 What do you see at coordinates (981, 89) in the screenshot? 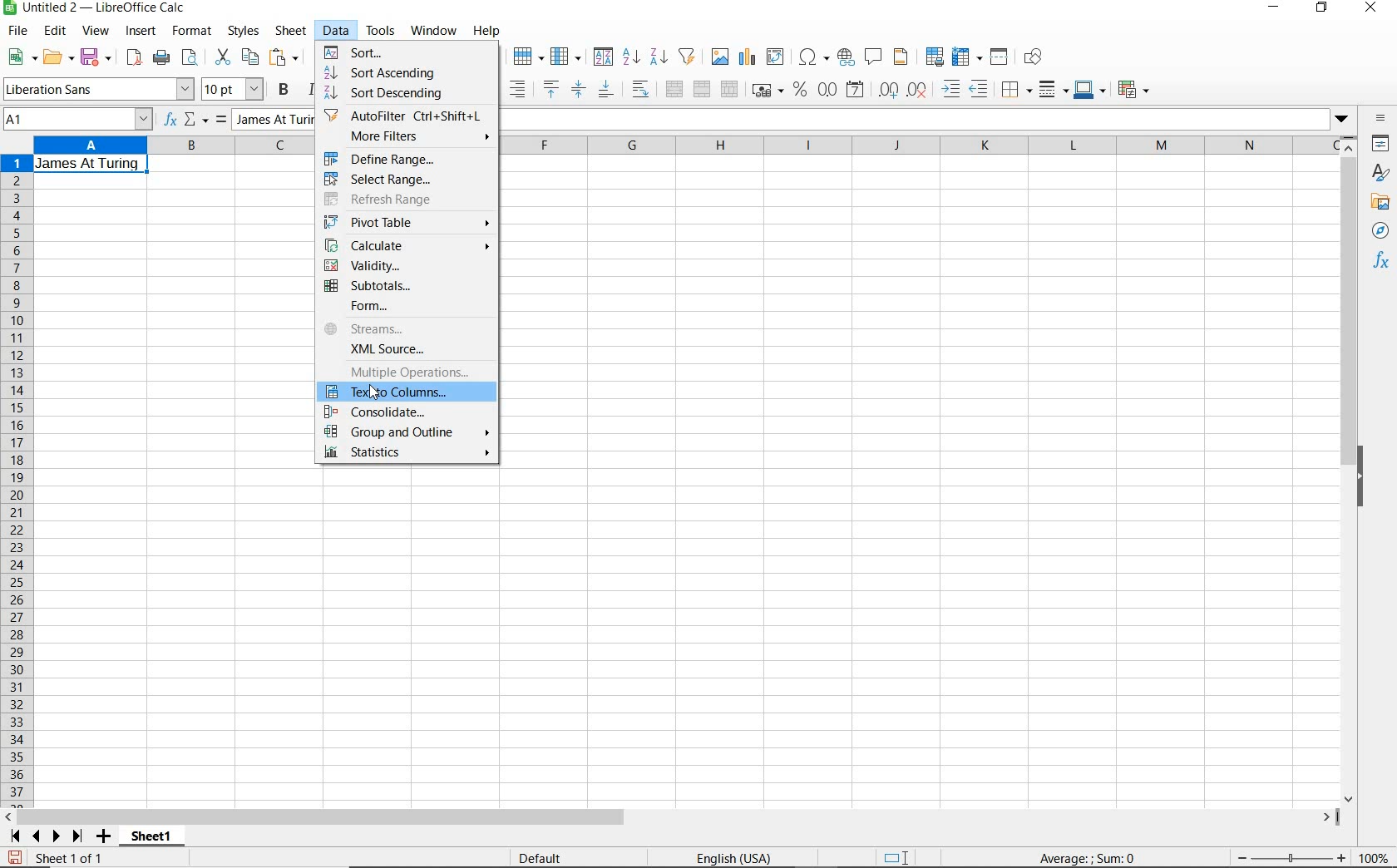
I see `decrease indent` at bounding box center [981, 89].